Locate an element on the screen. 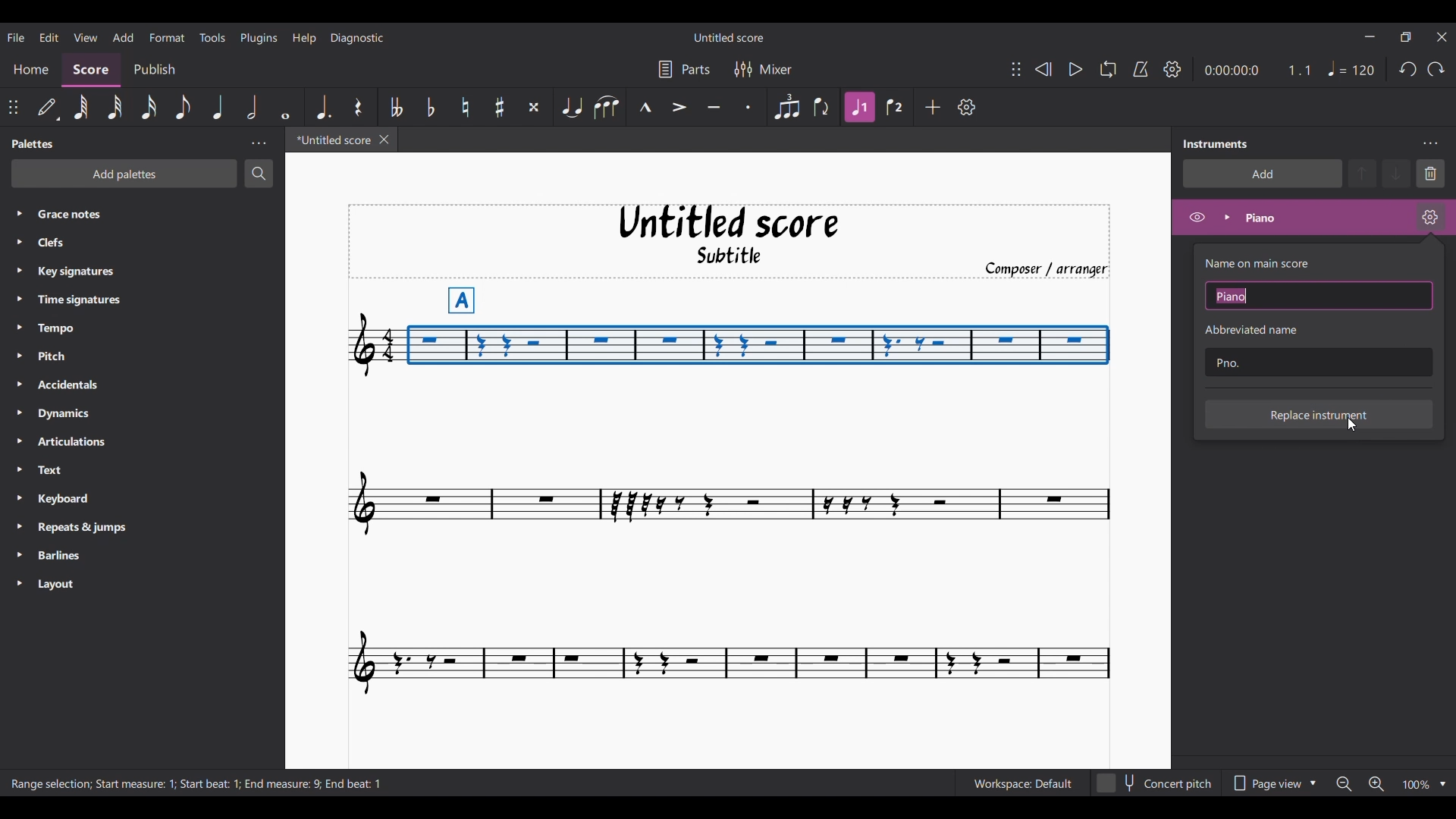 The height and width of the screenshot is (819, 1456). Half note is located at coordinates (251, 107).